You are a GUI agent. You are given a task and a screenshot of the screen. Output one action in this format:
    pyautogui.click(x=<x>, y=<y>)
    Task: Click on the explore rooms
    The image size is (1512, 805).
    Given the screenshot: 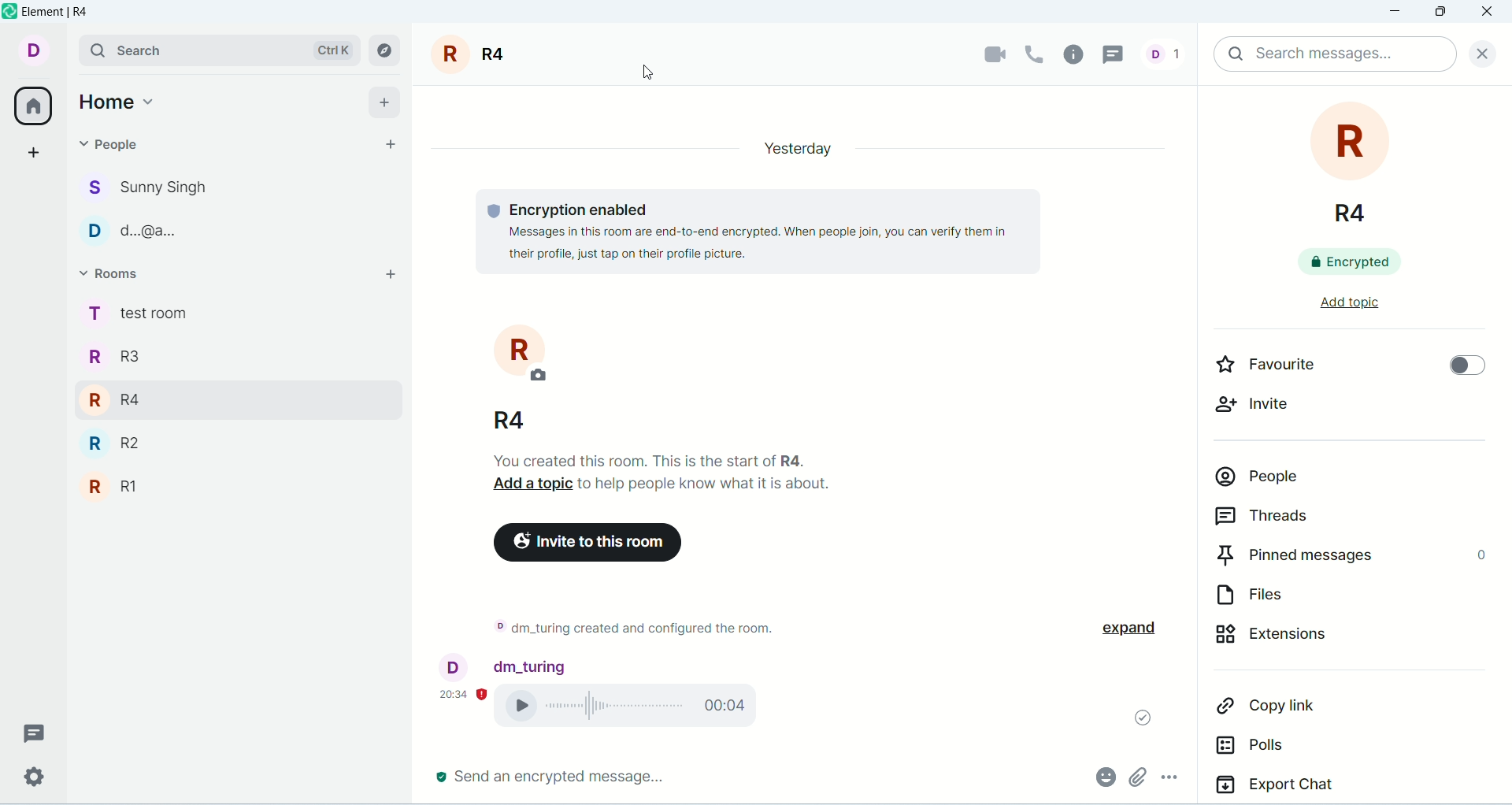 What is the action you would take?
    pyautogui.click(x=386, y=50)
    